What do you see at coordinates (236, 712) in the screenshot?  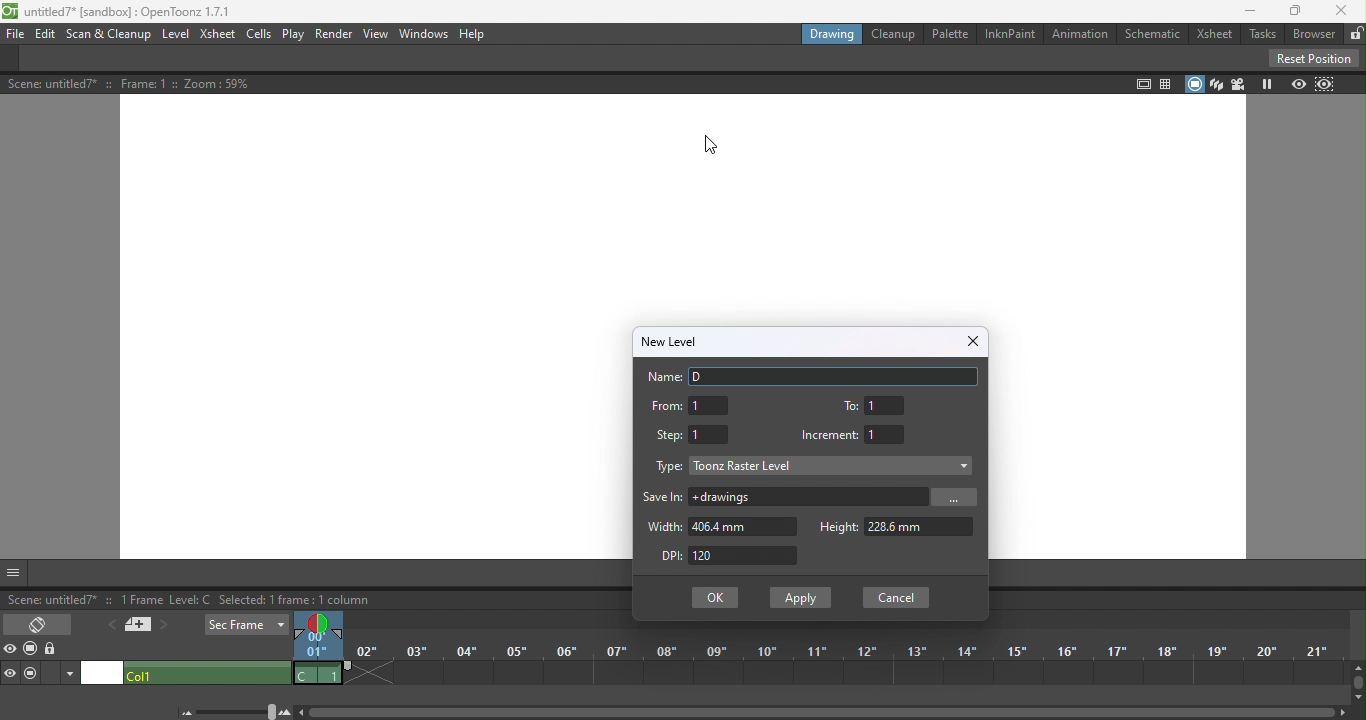 I see `Zoom in/out of timeline` at bounding box center [236, 712].